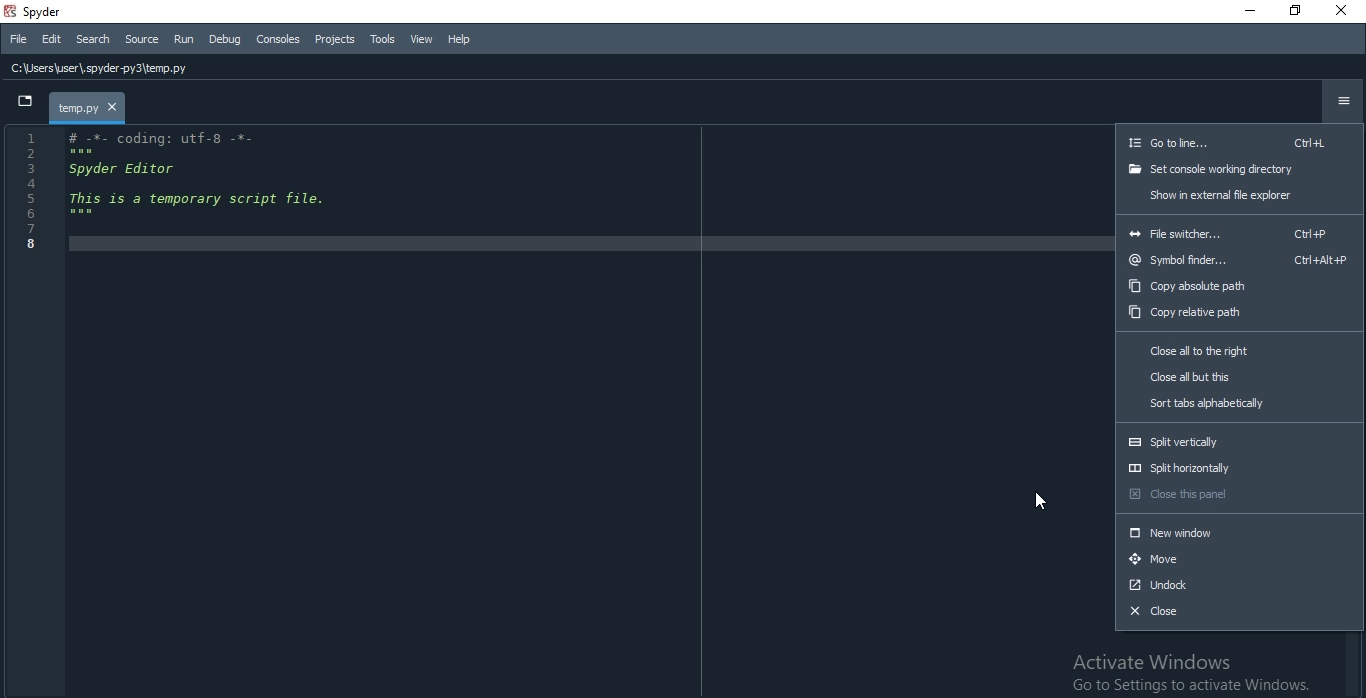 This screenshot has width=1366, height=698. What do you see at coordinates (225, 37) in the screenshot?
I see `Debug` at bounding box center [225, 37].